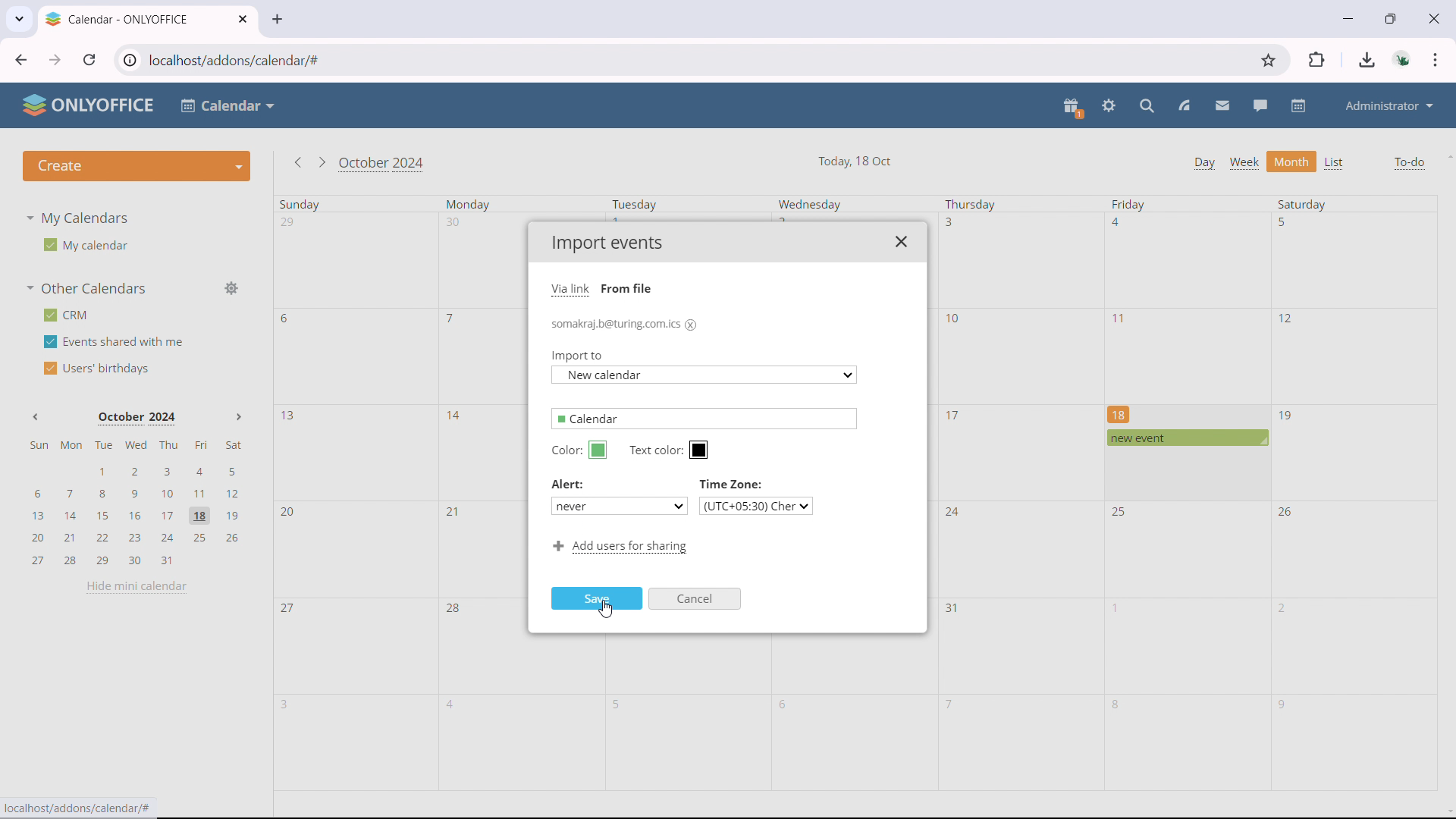  I want to click on 10, so click(955, 318).